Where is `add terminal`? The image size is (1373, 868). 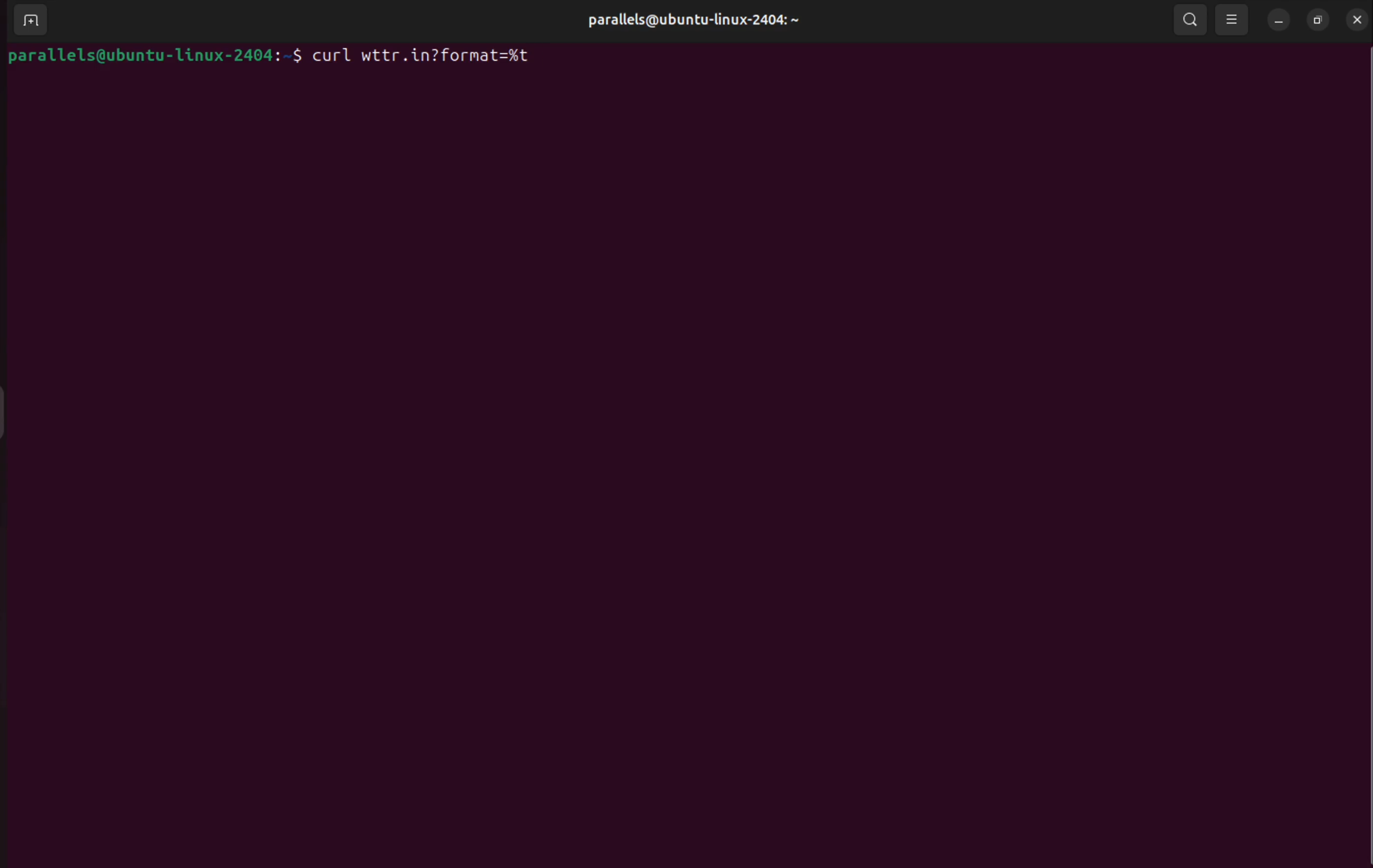 add terminal is located at coordinates (30, 20).